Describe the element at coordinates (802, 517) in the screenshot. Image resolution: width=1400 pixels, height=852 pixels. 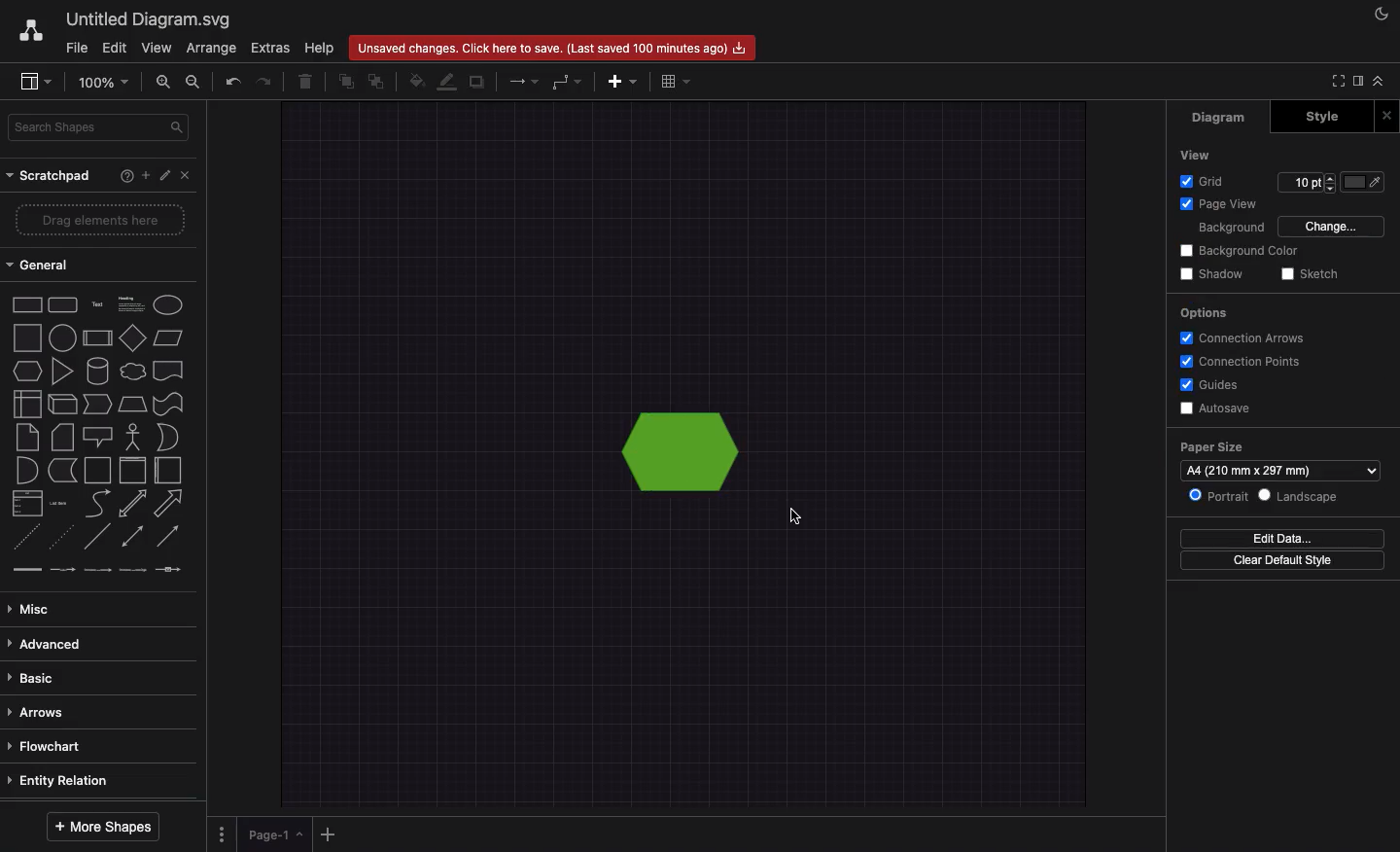
I see `Cursor` at that location.